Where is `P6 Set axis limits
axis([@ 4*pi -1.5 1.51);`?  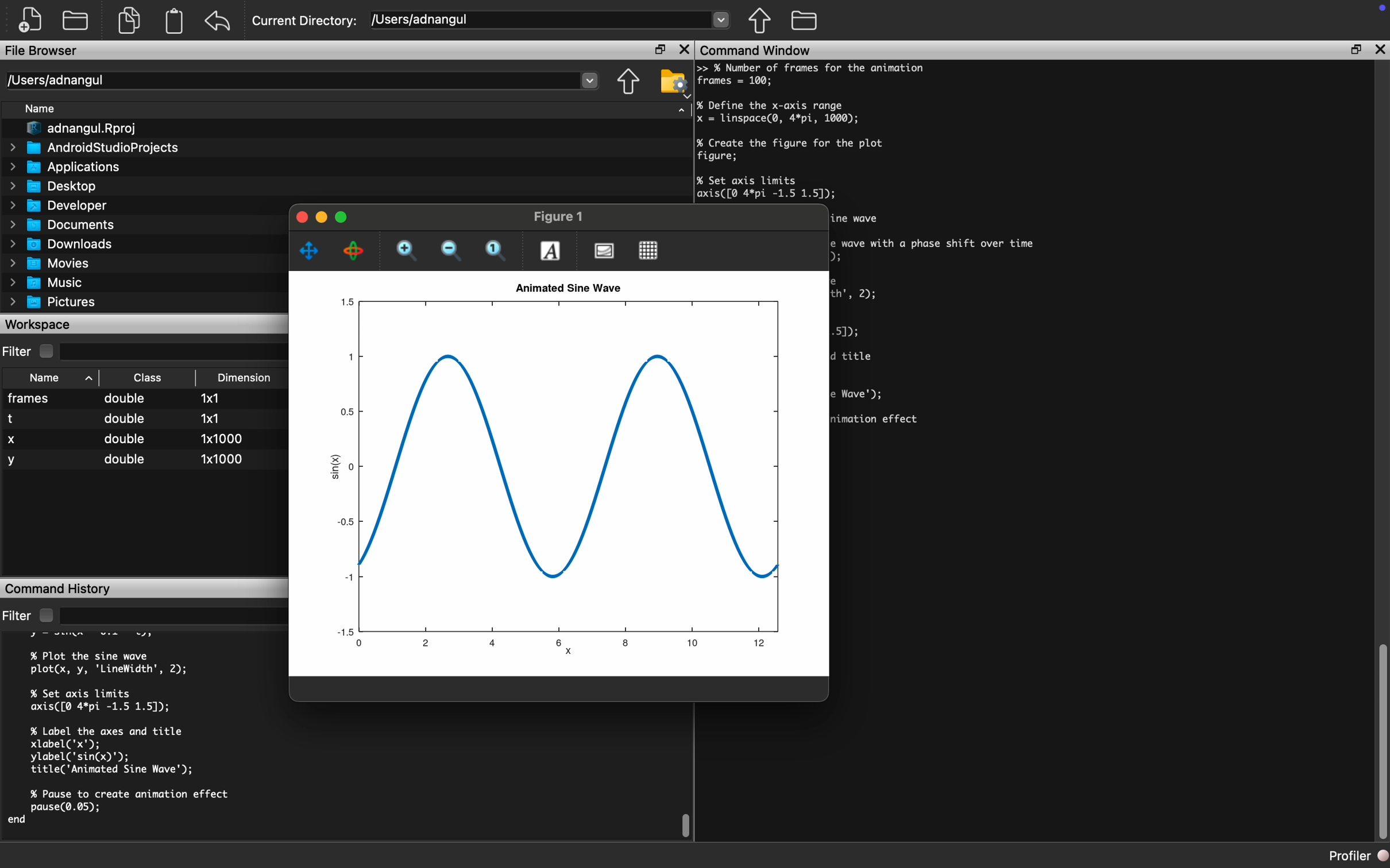
P6 Set axis limits
axis([@ 4*pi -1.5 1.51); is located at coordinates (767, 188).